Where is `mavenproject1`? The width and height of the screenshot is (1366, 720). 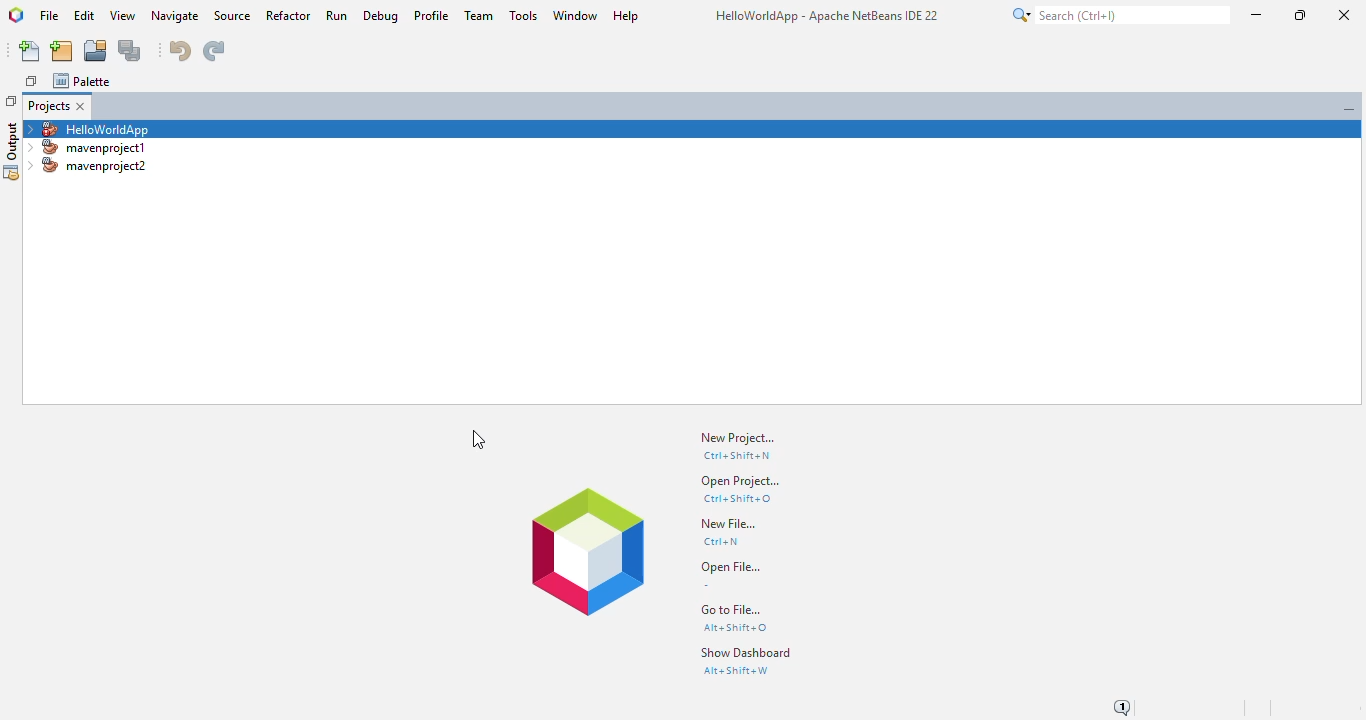
mavenproject1 is located at coordinates (90, 148).